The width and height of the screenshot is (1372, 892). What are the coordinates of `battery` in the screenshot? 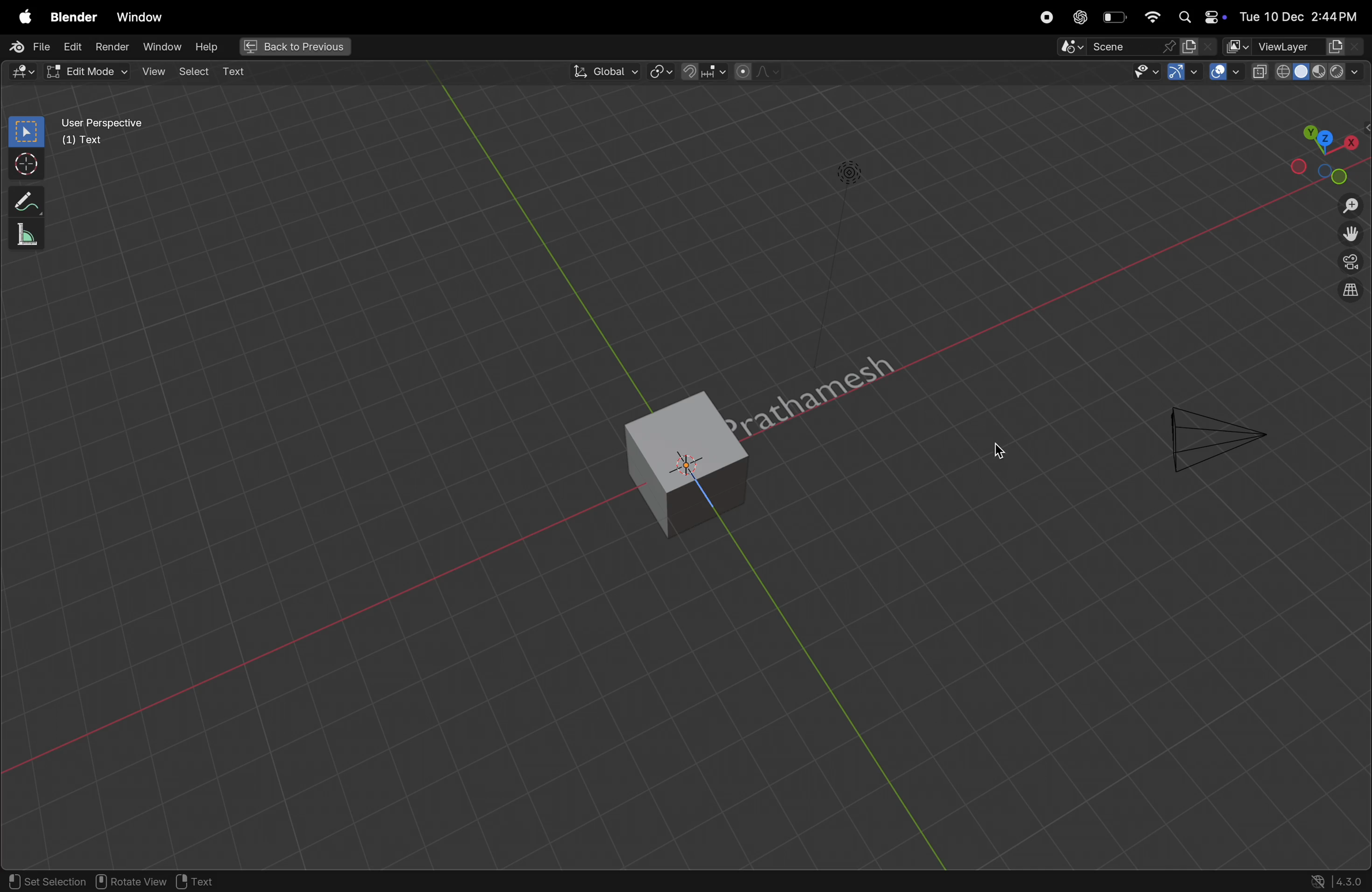 It's located at (1115, 17).